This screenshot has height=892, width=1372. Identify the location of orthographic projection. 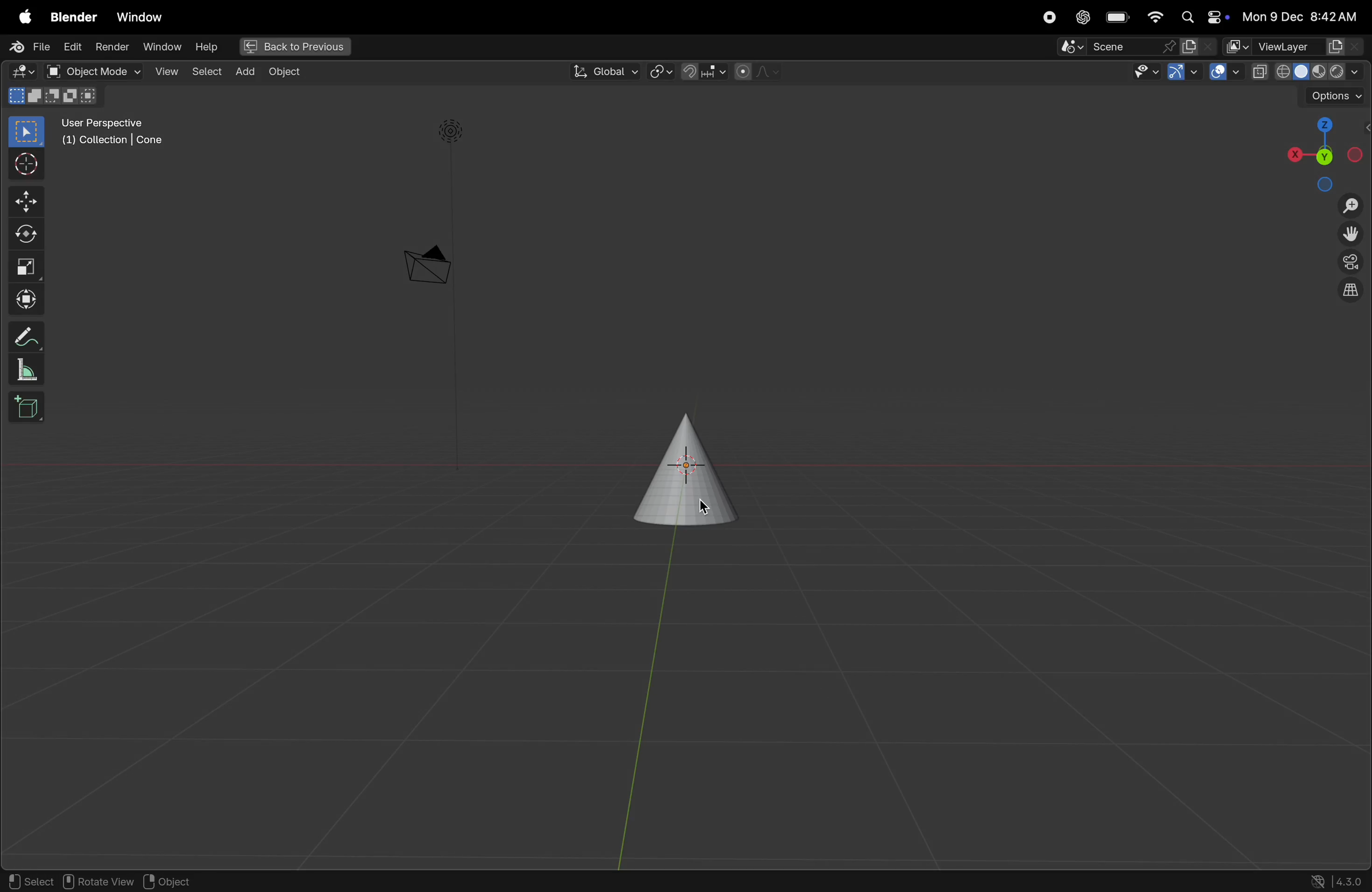
(1352, 290).